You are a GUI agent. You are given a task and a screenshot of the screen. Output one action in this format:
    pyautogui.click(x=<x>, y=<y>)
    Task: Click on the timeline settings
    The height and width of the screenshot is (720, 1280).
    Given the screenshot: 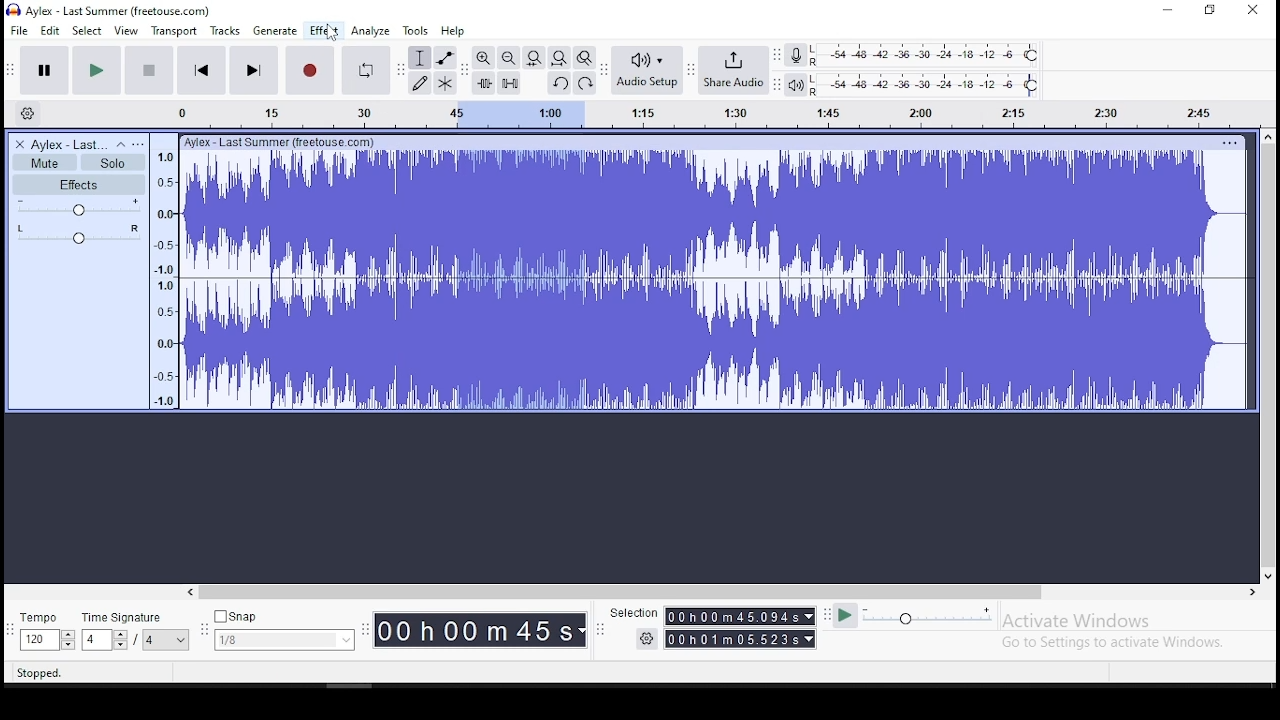 What is the action you would take?
    pyautogui.click(x=28, y=112)
    